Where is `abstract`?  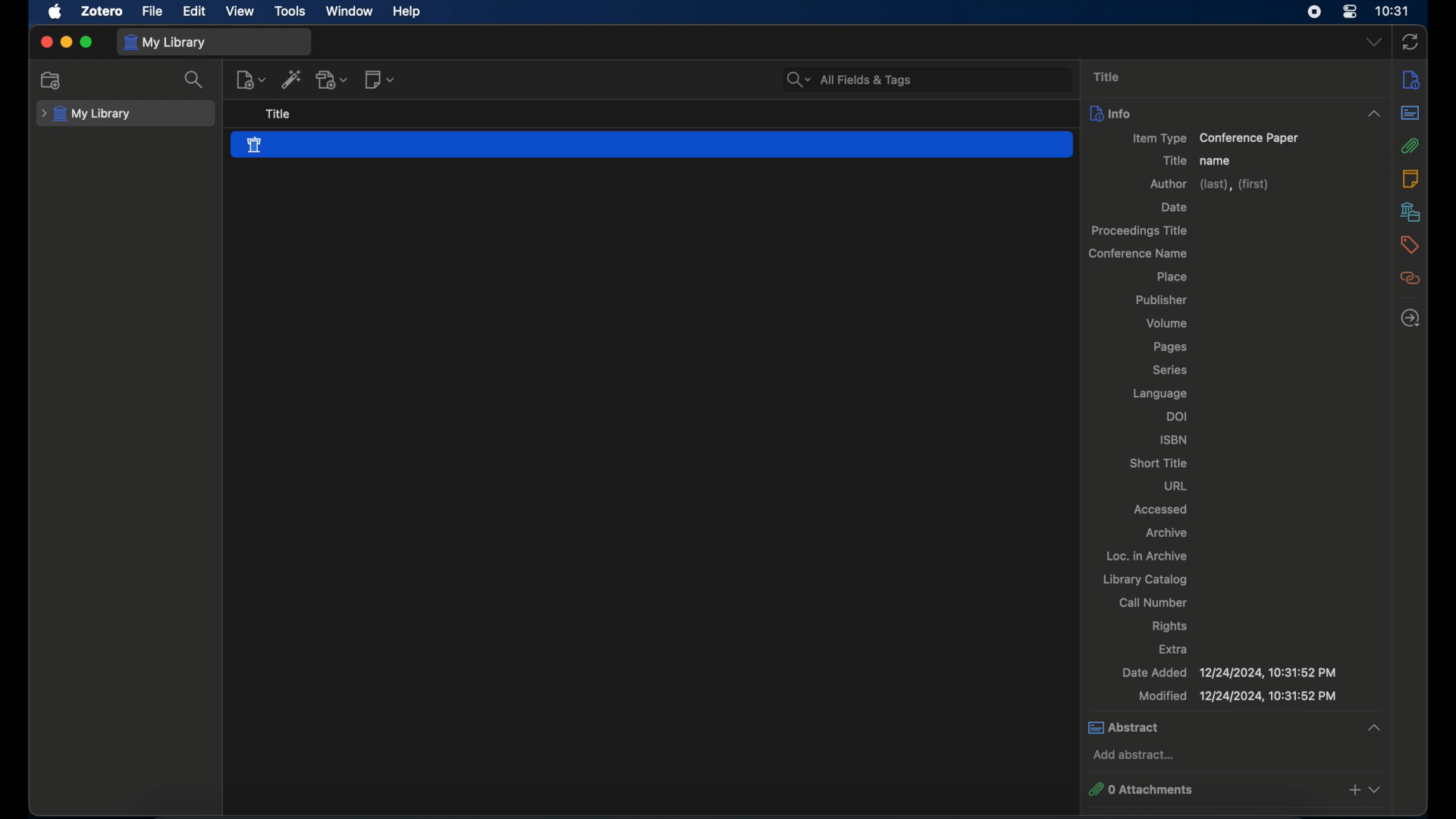 abstract is located at coordinates (1410, 113).